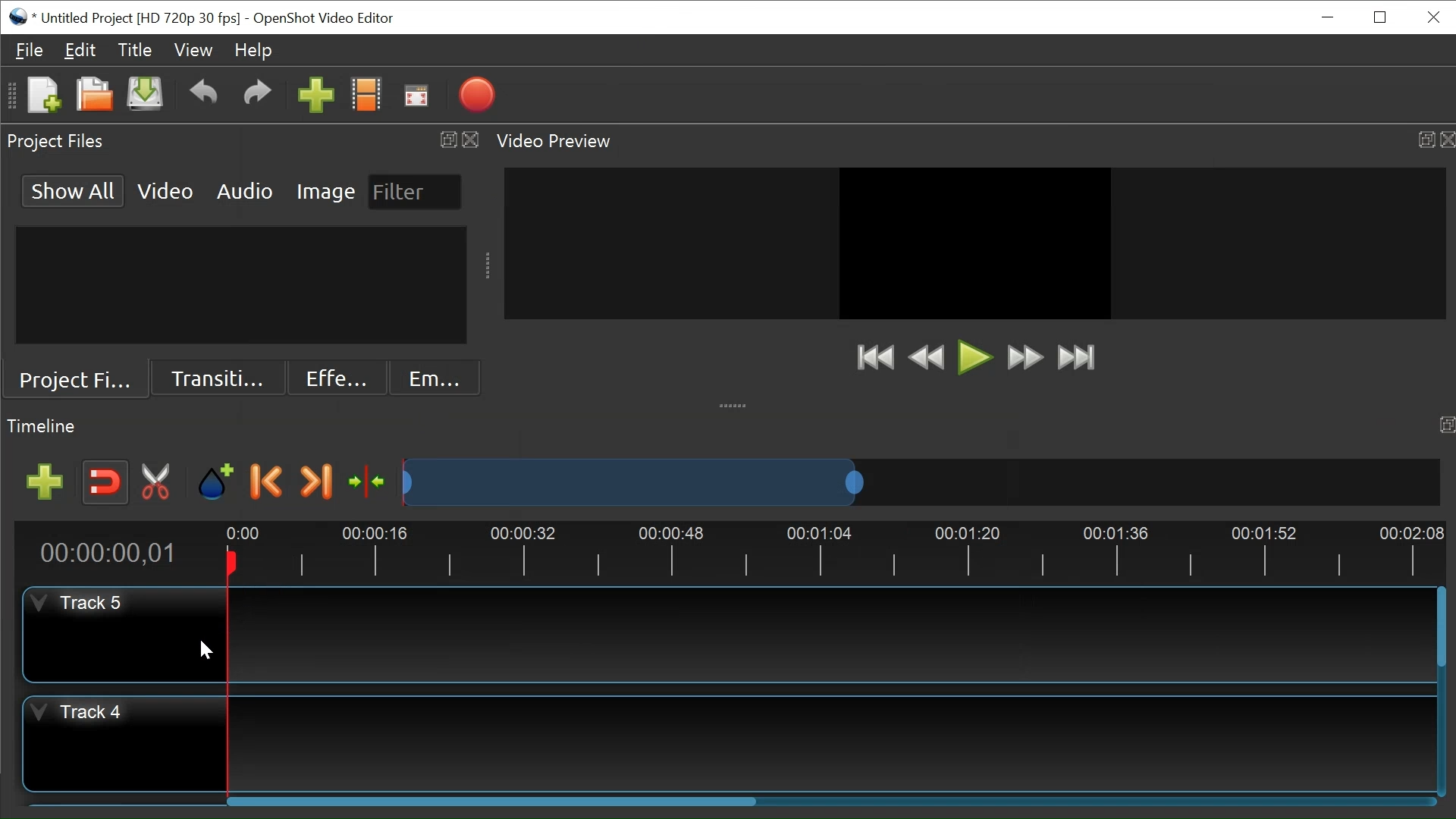  What do you see at coordinates (125, 743) in the screenshot?
I see `Track Header` at bounding box center [125, 743].